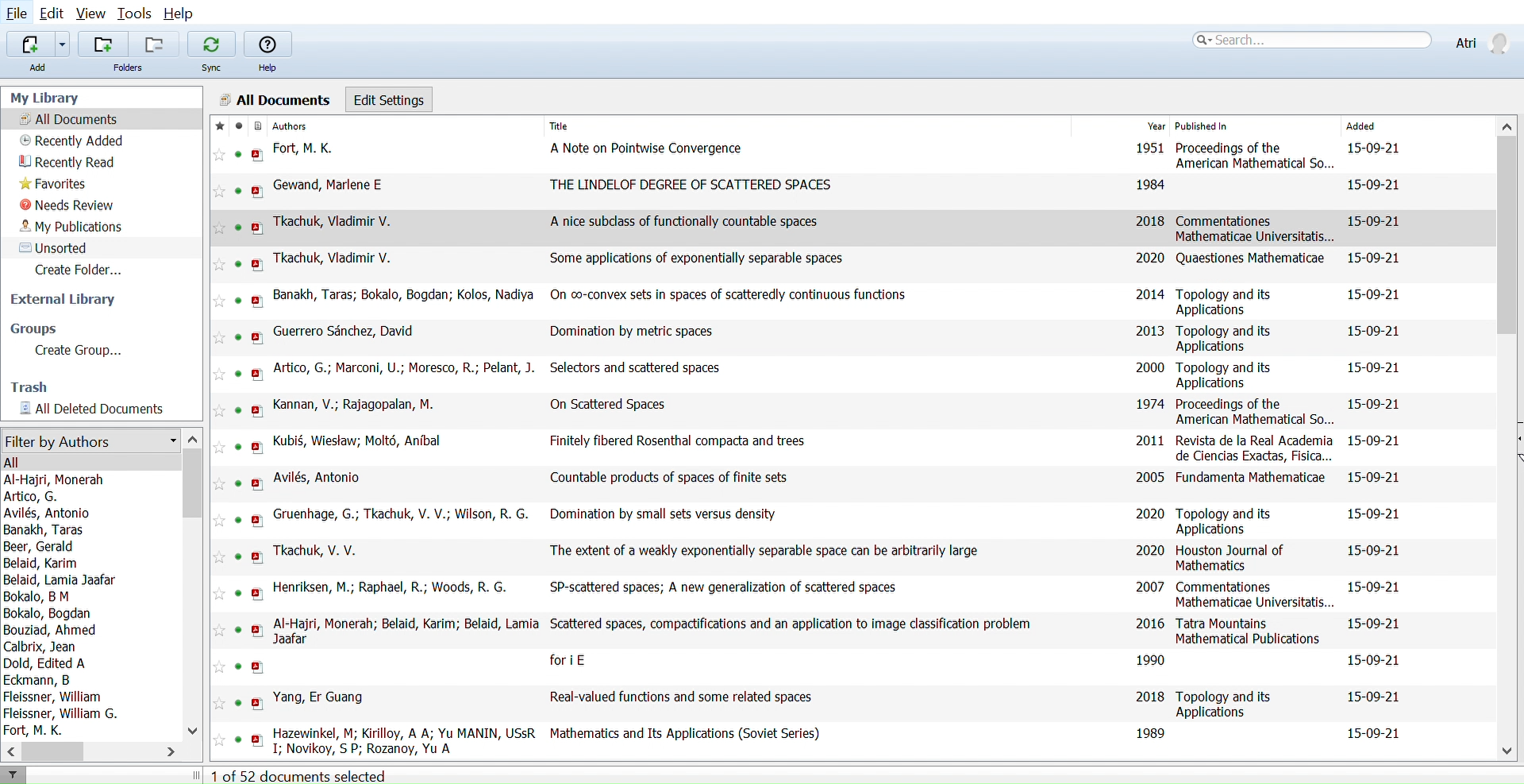  I want to click on 2018, so click(1149, 695).